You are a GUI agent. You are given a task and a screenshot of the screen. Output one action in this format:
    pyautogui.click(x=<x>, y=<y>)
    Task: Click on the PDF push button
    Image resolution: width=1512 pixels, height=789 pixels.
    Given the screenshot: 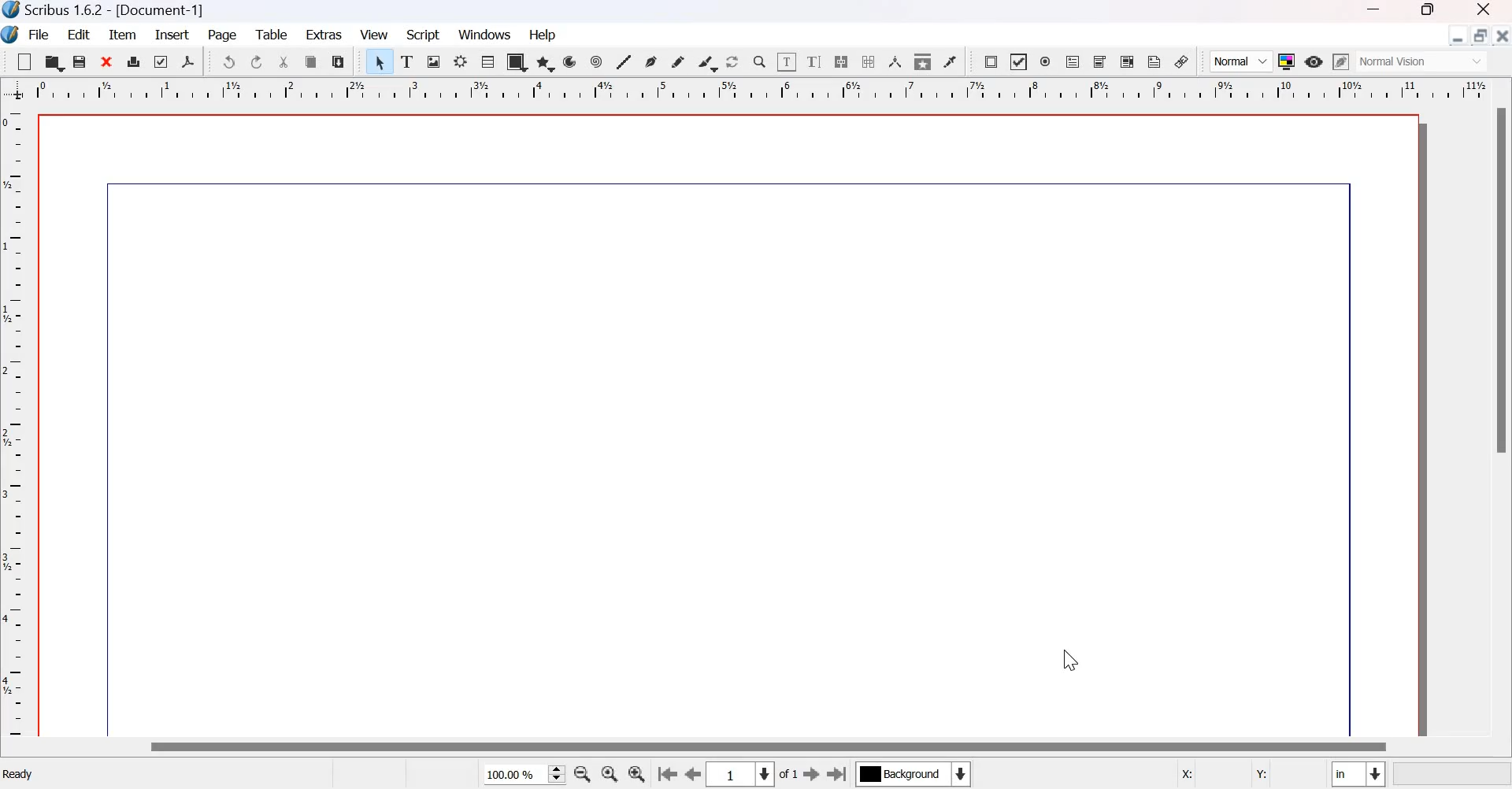 What is the action you would take?
    pyautogui.click(x=989, y=62)
    